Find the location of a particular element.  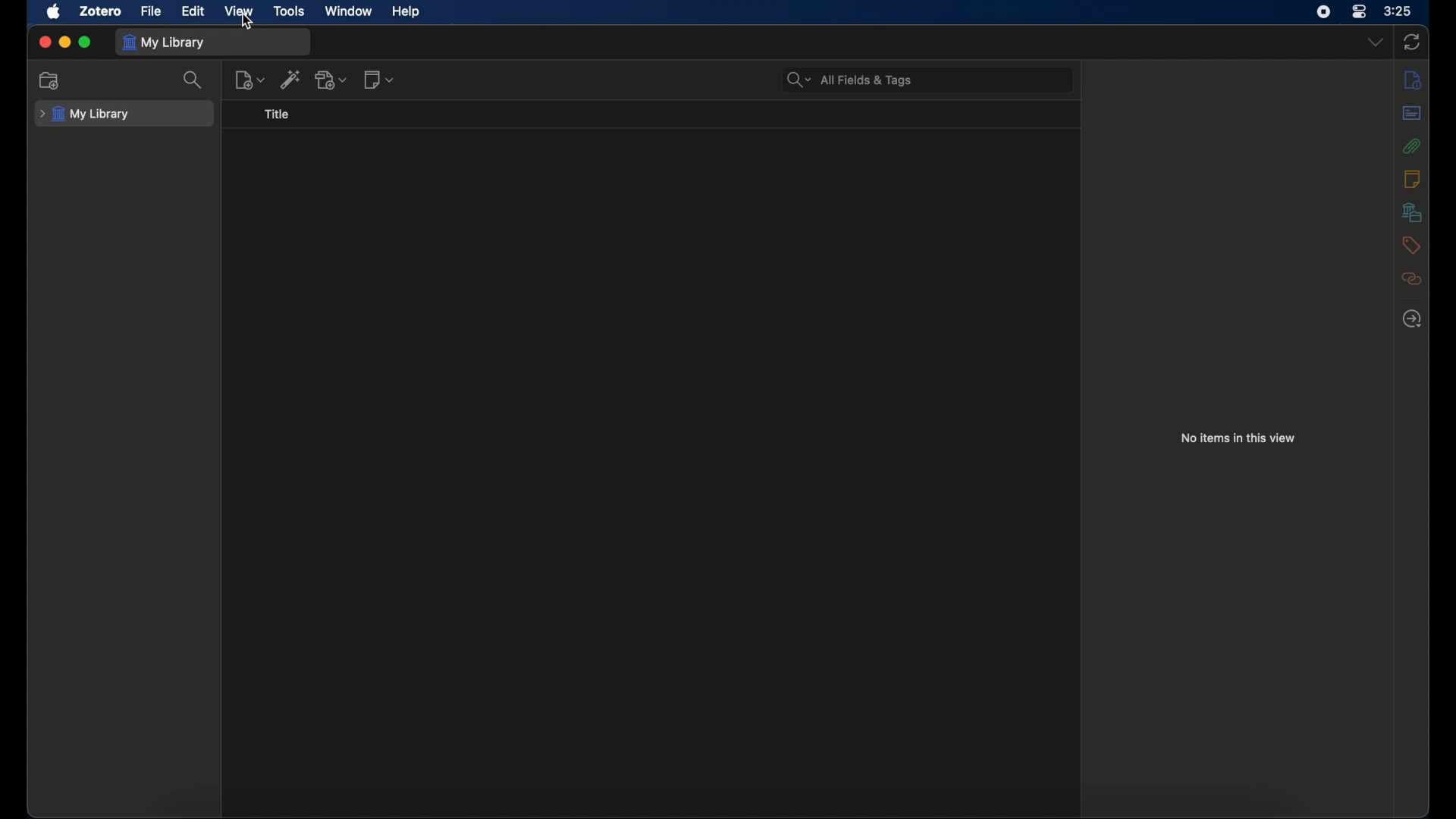

libraries is located at coordinates (1412, 212).